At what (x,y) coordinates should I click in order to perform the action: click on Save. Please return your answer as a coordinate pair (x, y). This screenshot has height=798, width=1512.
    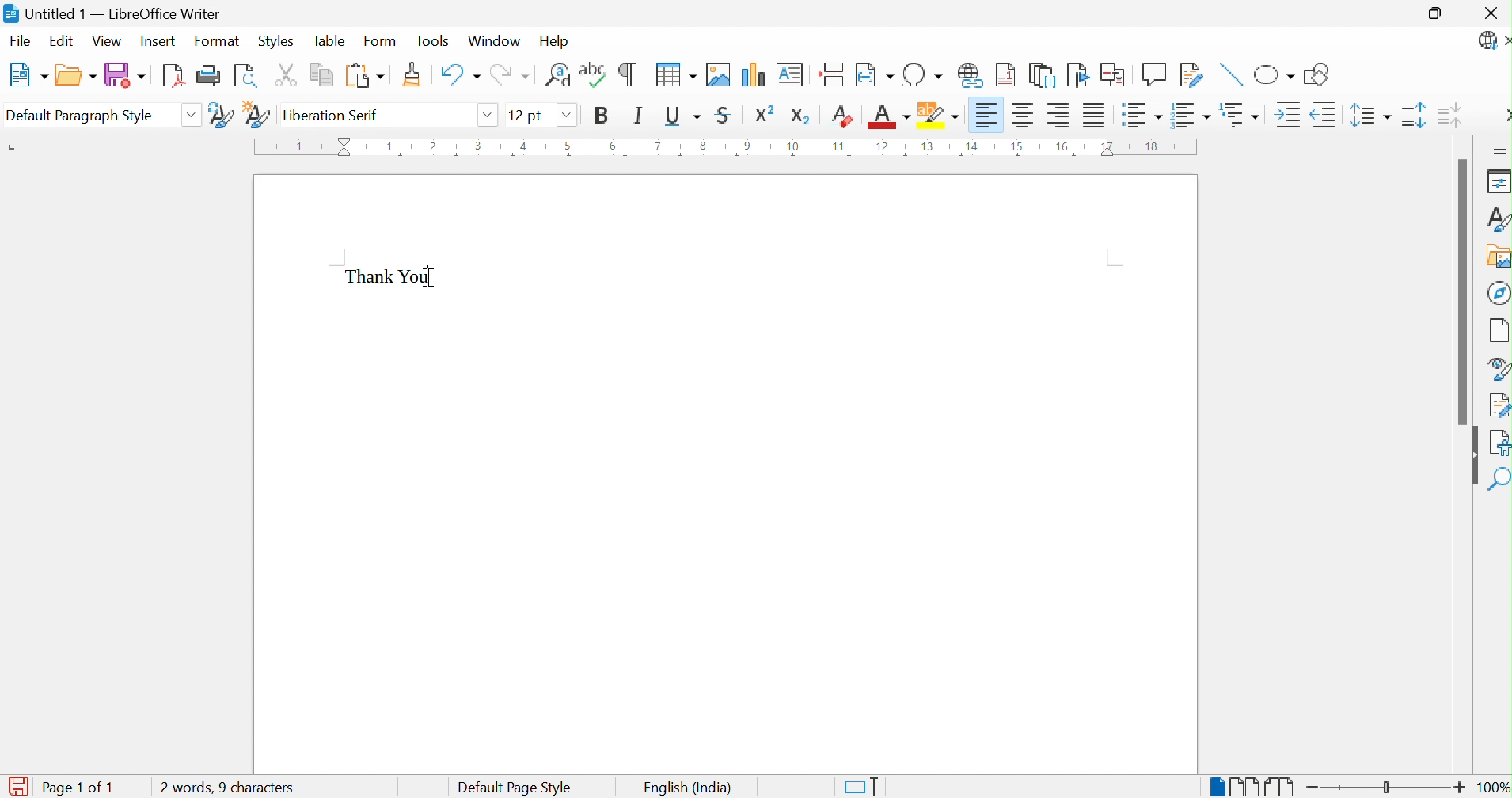
    Looking at the image, I should click on (124, 75).